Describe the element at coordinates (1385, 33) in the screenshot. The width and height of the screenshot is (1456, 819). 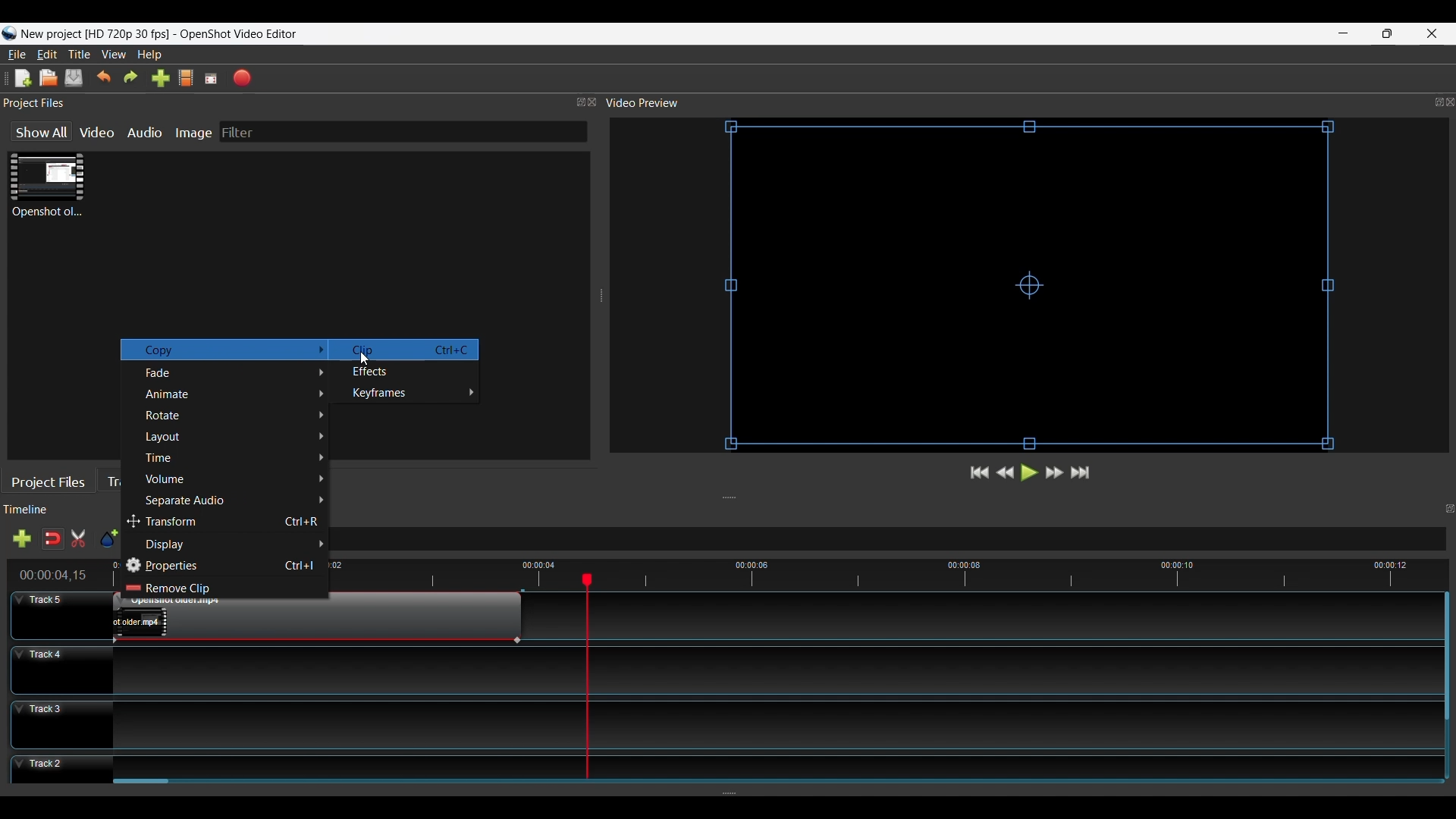
I see `Restore` at that location.